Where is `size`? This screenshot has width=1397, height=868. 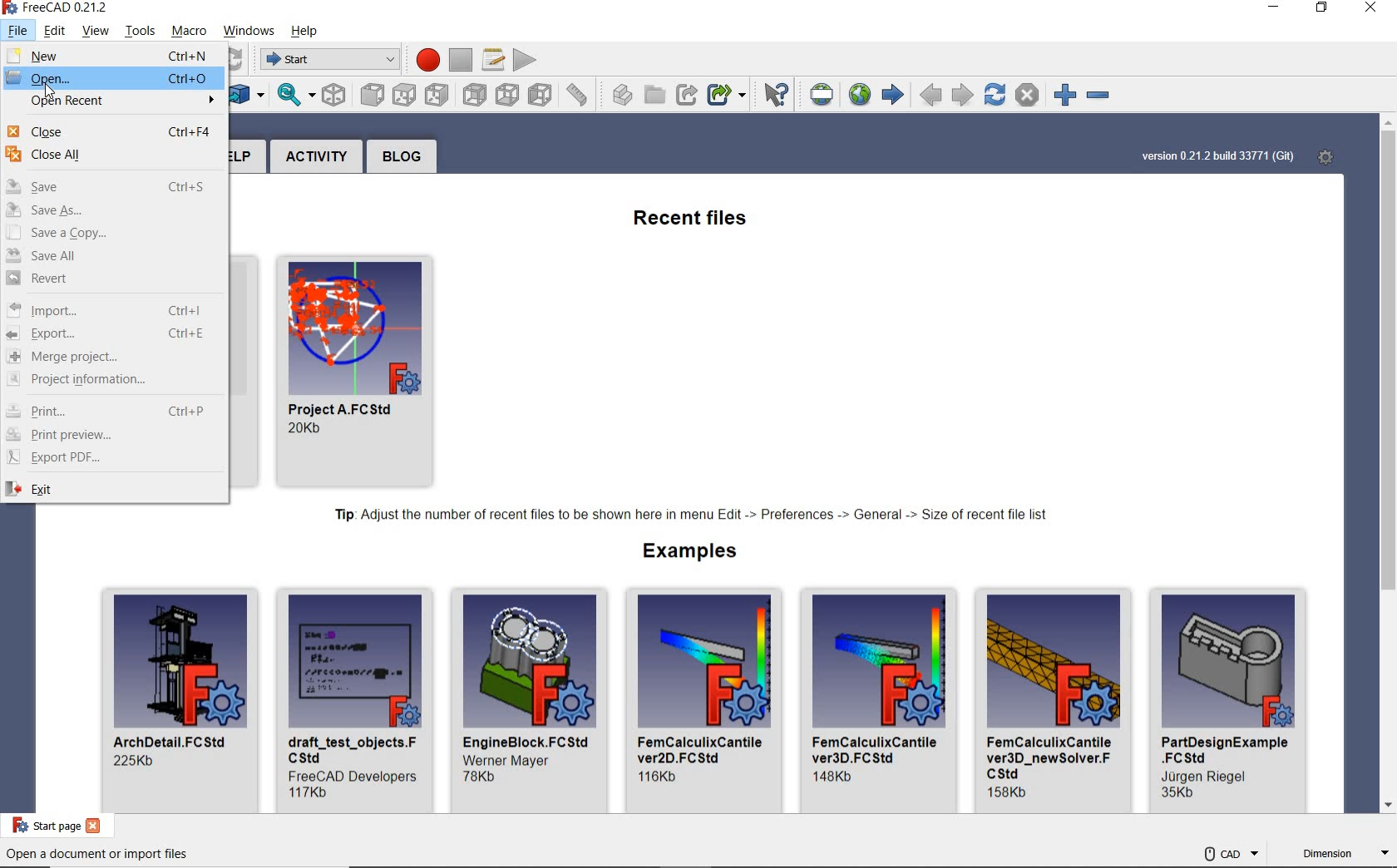 size is located at coordinates (1010, 793).